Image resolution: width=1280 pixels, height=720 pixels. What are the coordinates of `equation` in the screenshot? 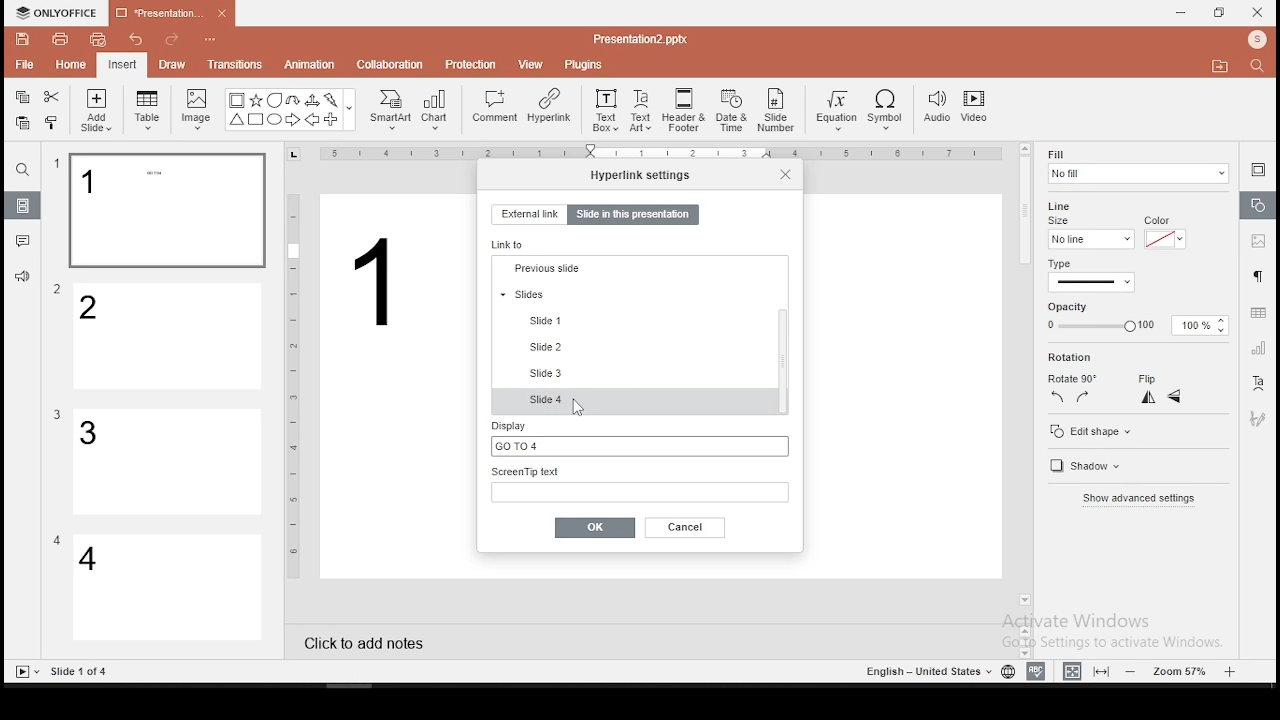 It's located at (835, 111).